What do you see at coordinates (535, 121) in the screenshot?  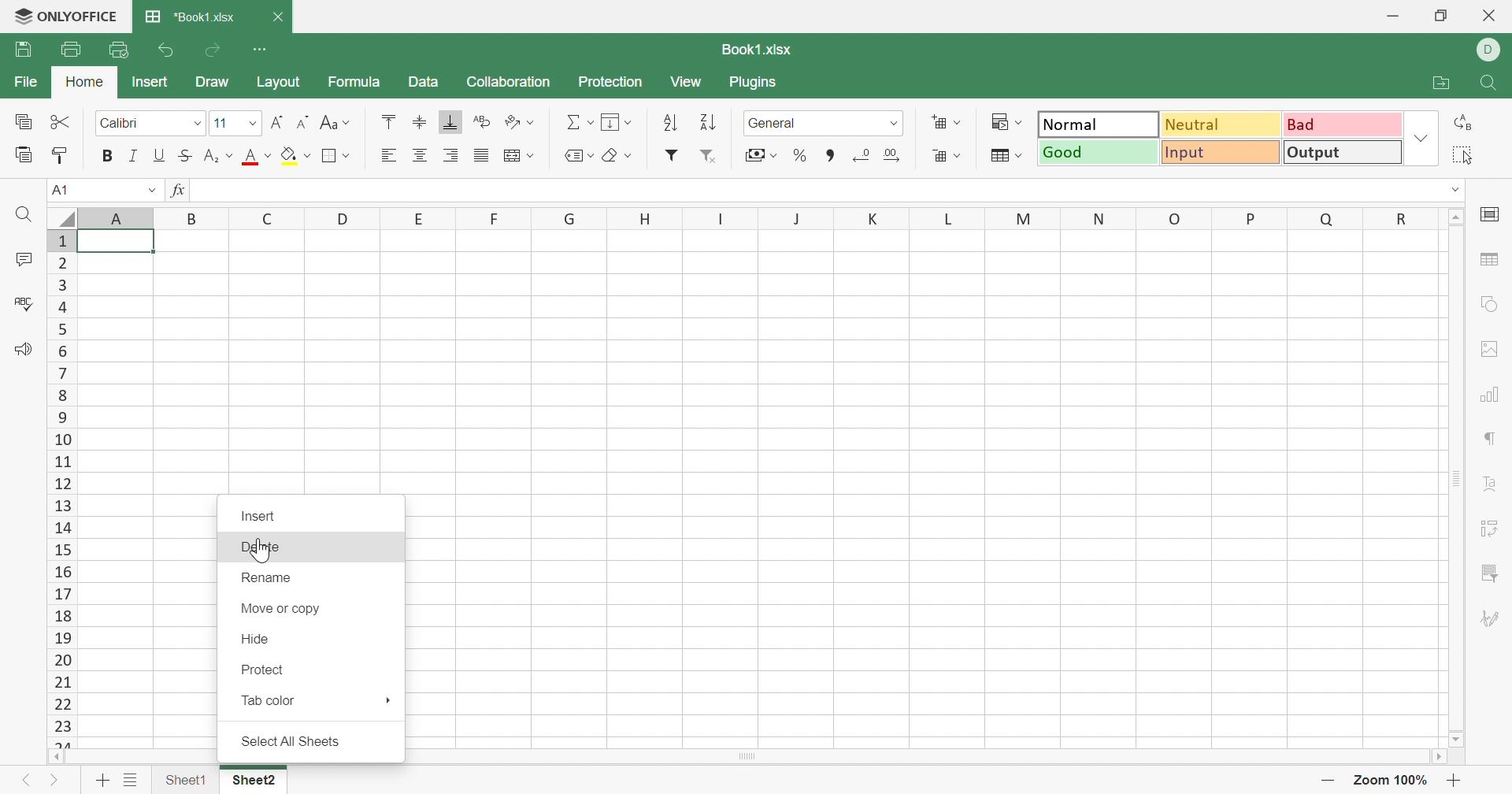 I see `Drop Down` at bounding box center [535, 121].